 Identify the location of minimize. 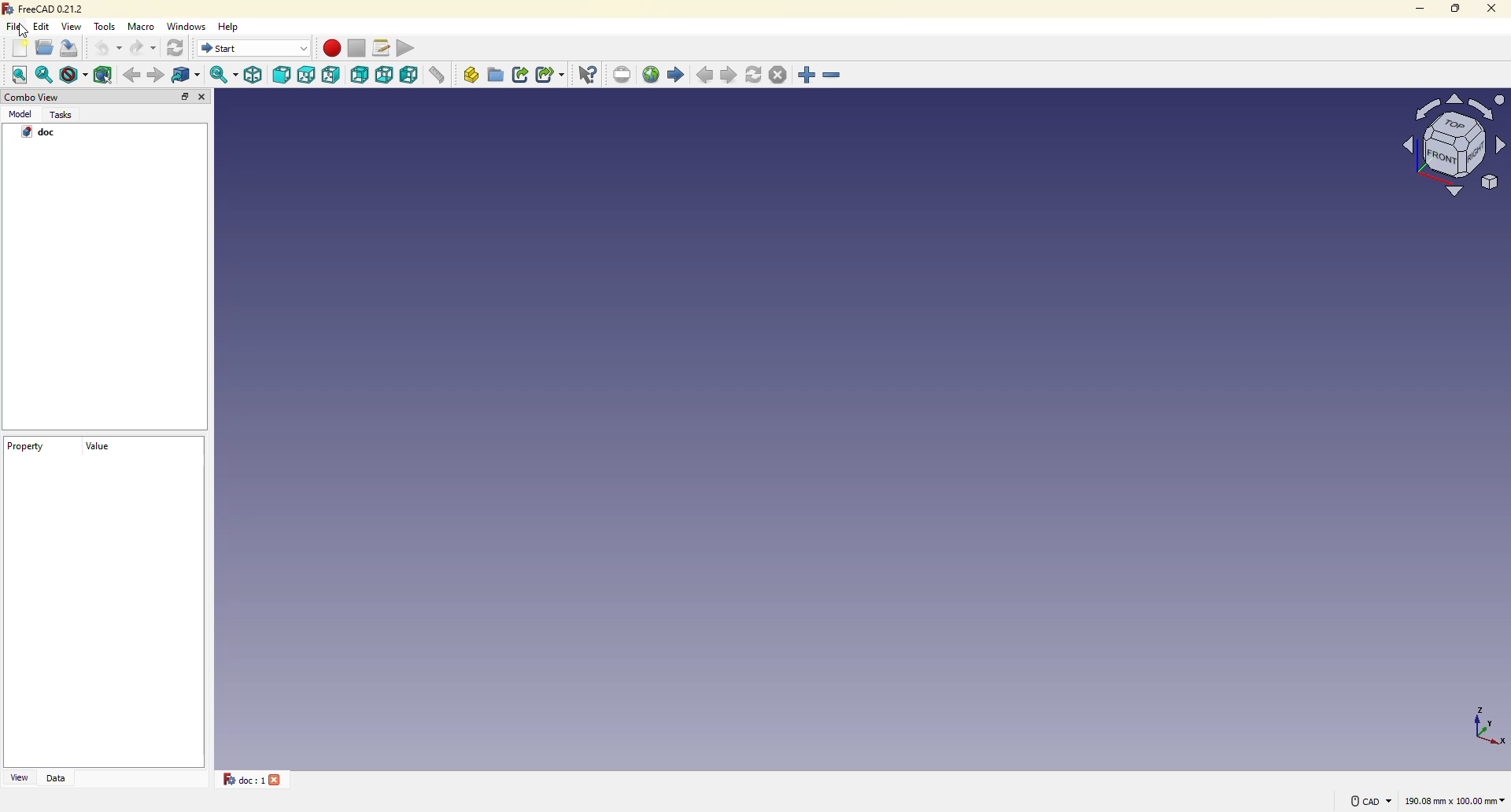
(1413, 8).